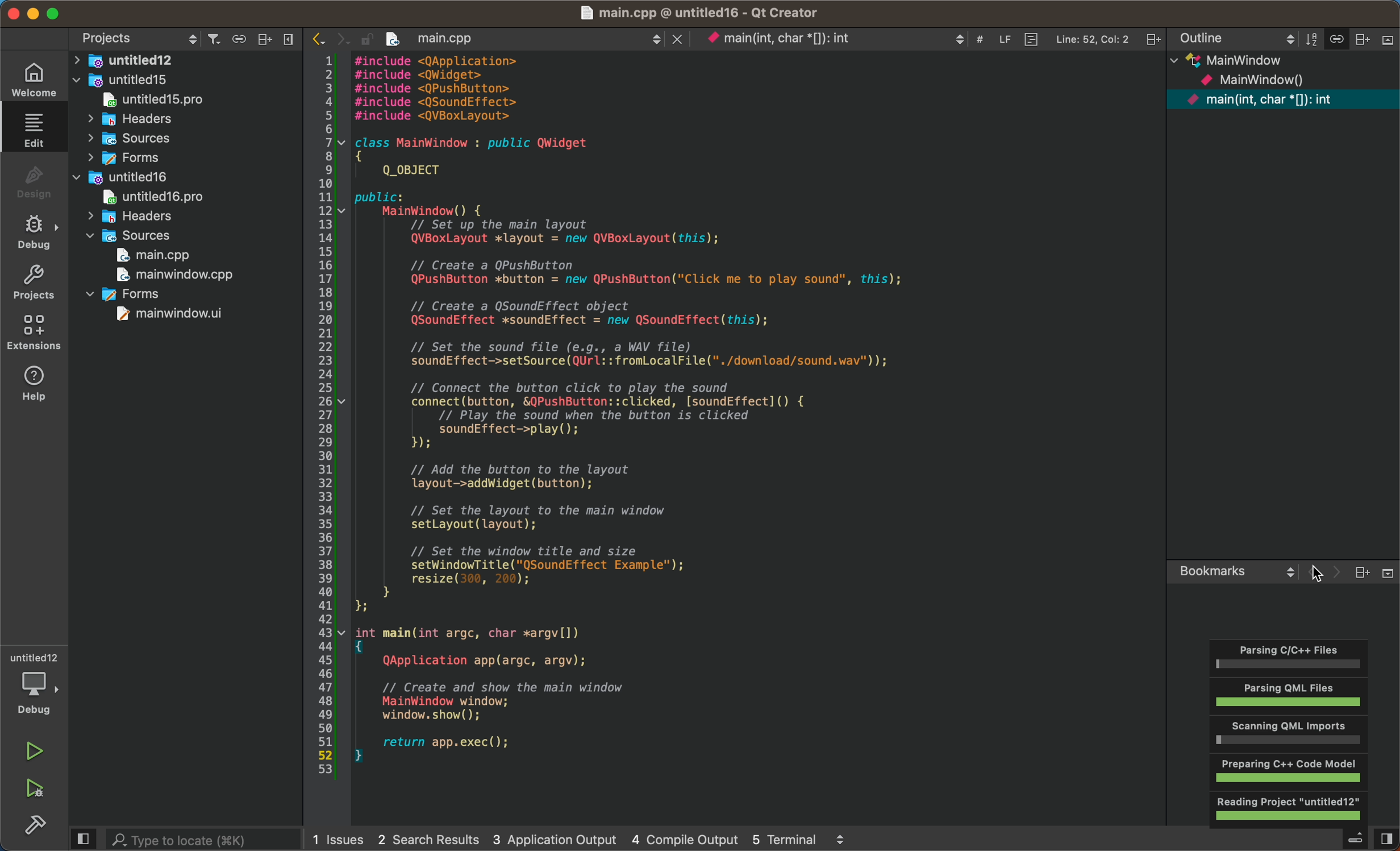  What do you see at coordinates (252, 40) in the screenshot?
I see `filter` at bounding box center [252, 40].